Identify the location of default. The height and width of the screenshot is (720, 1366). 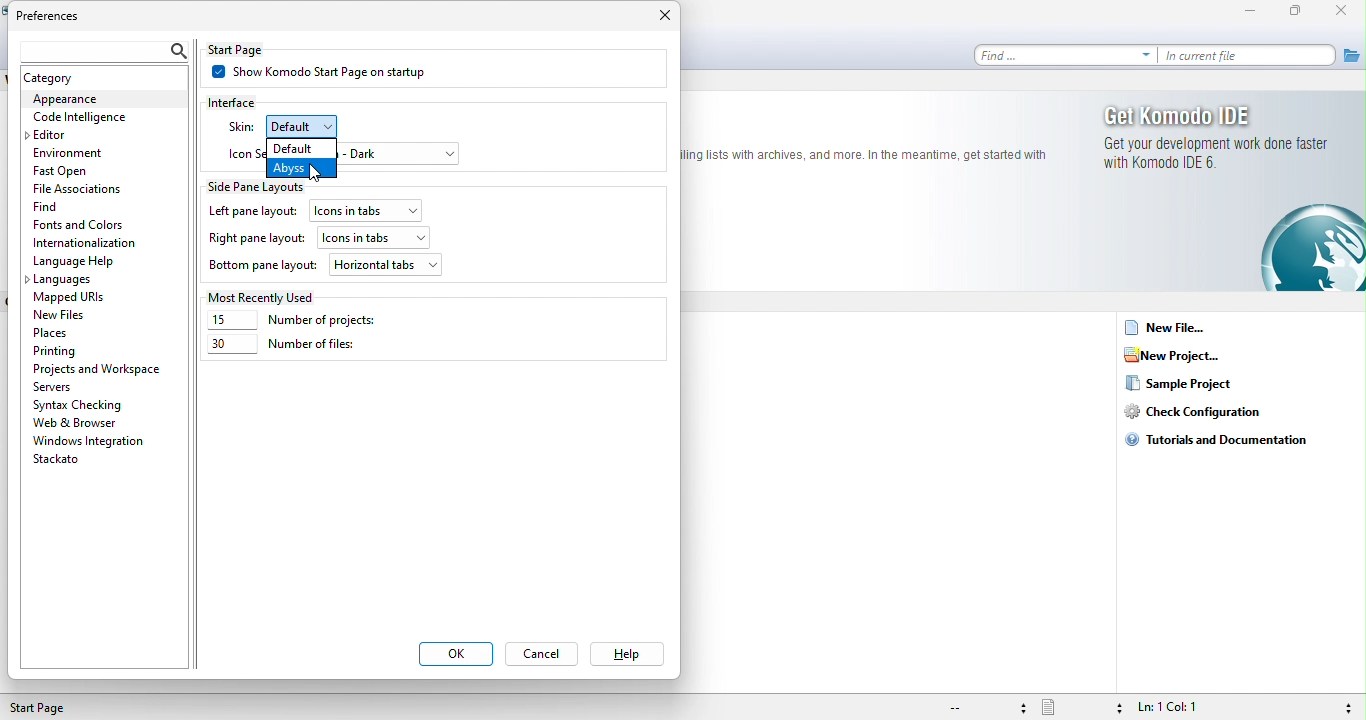
(316, 126).